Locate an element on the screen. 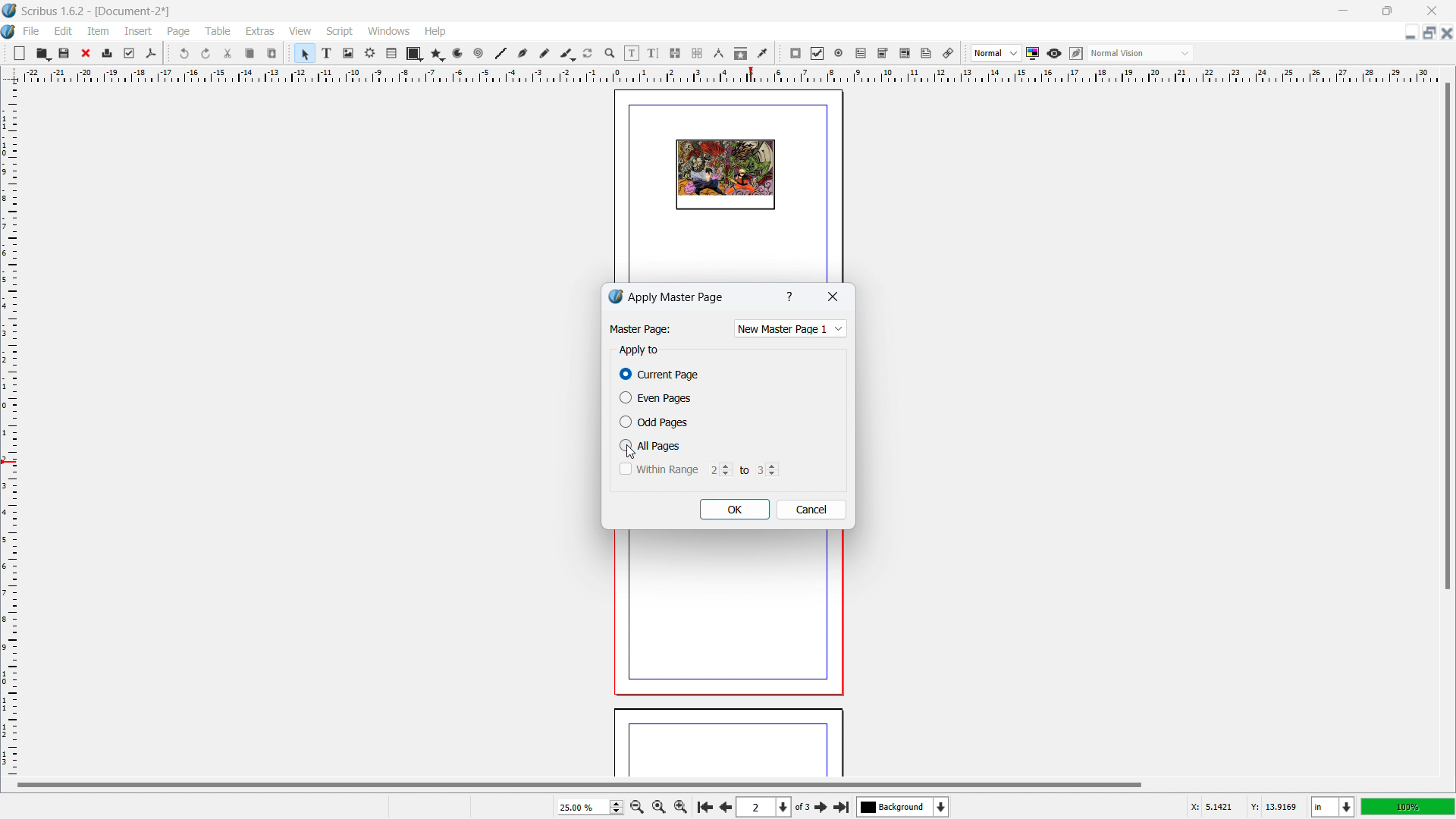 The width and height of the screenshot is (1456, 819). item is located at coordinates (99, 30).